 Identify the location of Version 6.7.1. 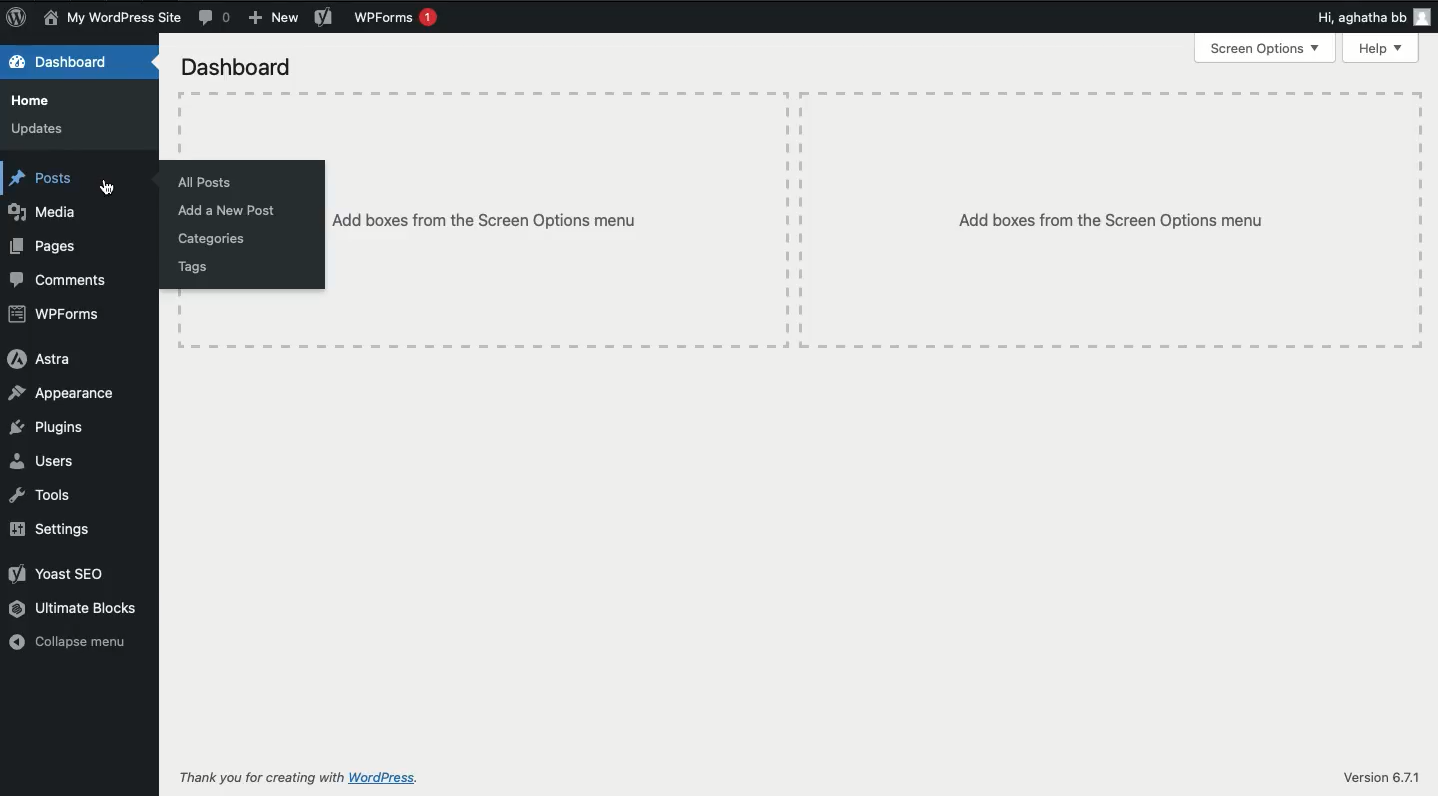
(1379, 777).